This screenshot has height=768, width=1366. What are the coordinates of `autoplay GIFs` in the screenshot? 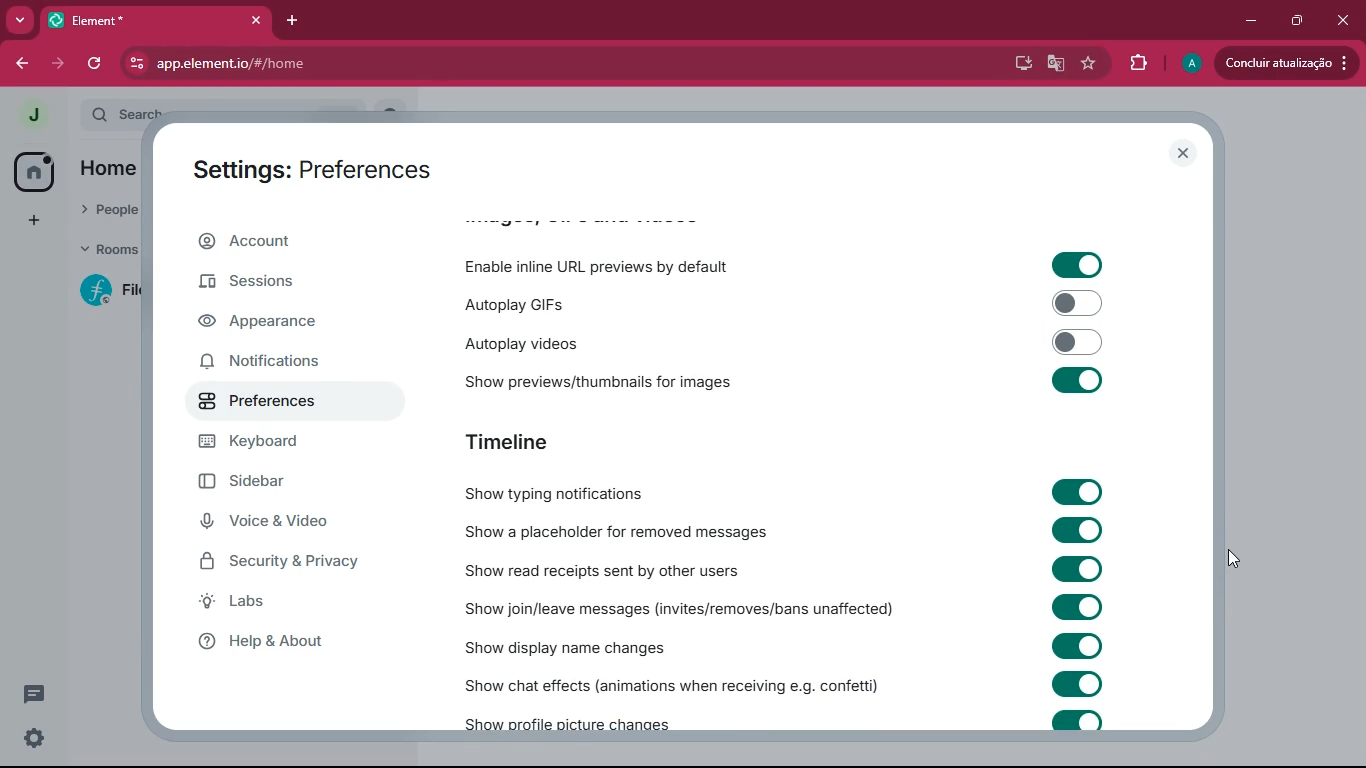 It's located at (558, 303).